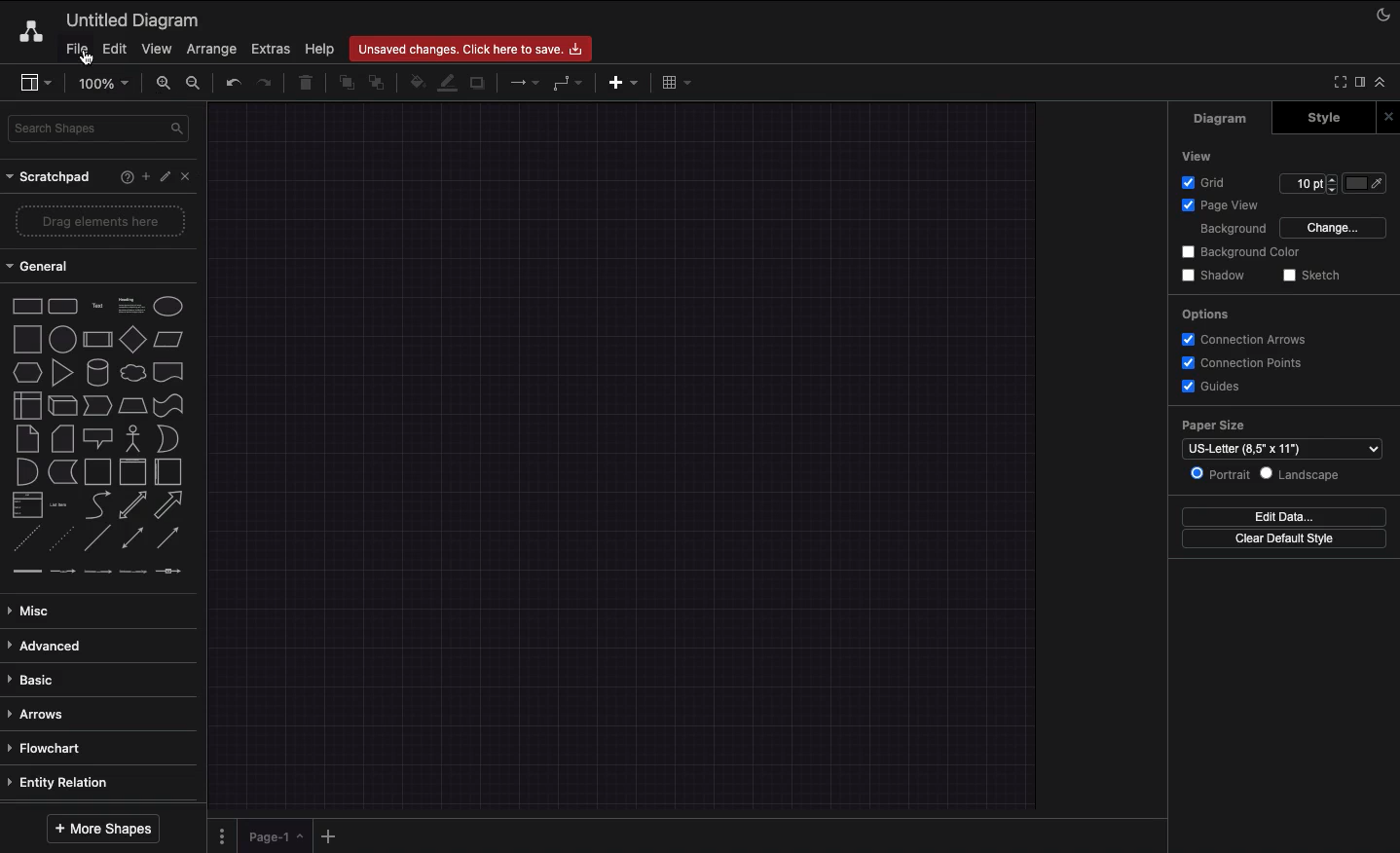 The width and height of the screenshot is (1400, 853). I want to click on Help, so click(319, 48).